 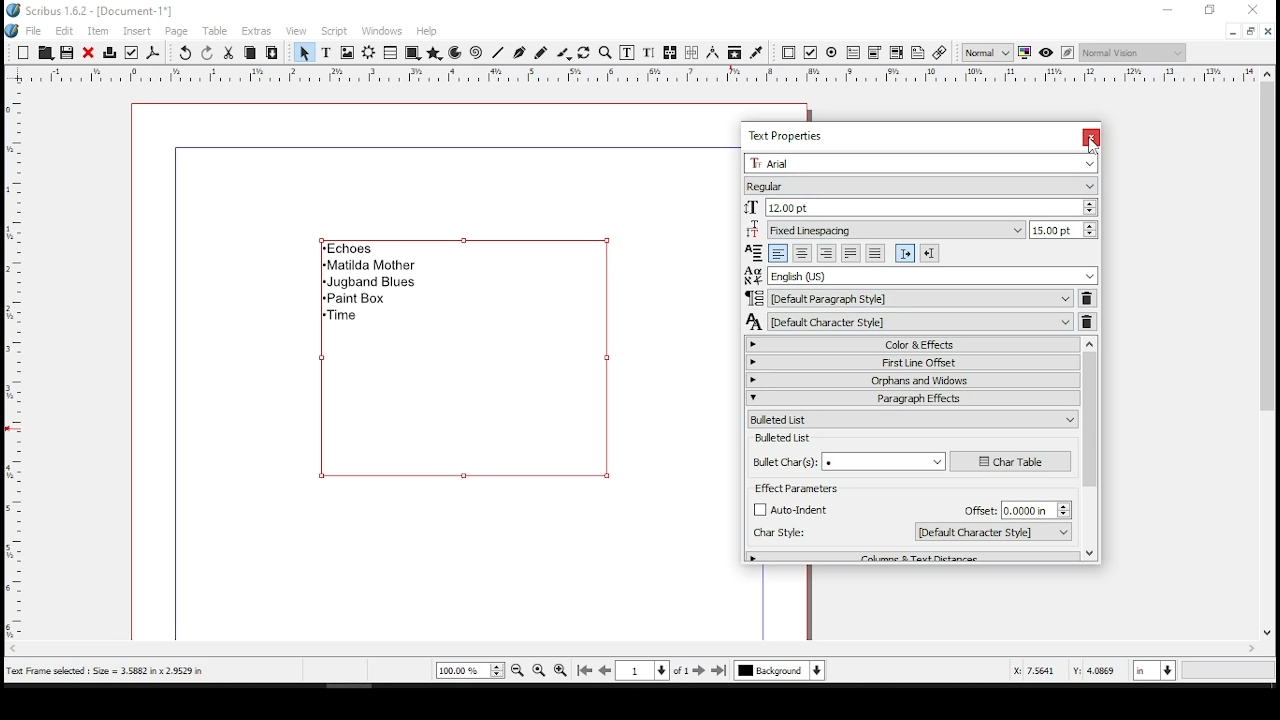 What do you see at coordinates (921, 275) in the screenshot?
I see `language` at bounding box center [921, 275].